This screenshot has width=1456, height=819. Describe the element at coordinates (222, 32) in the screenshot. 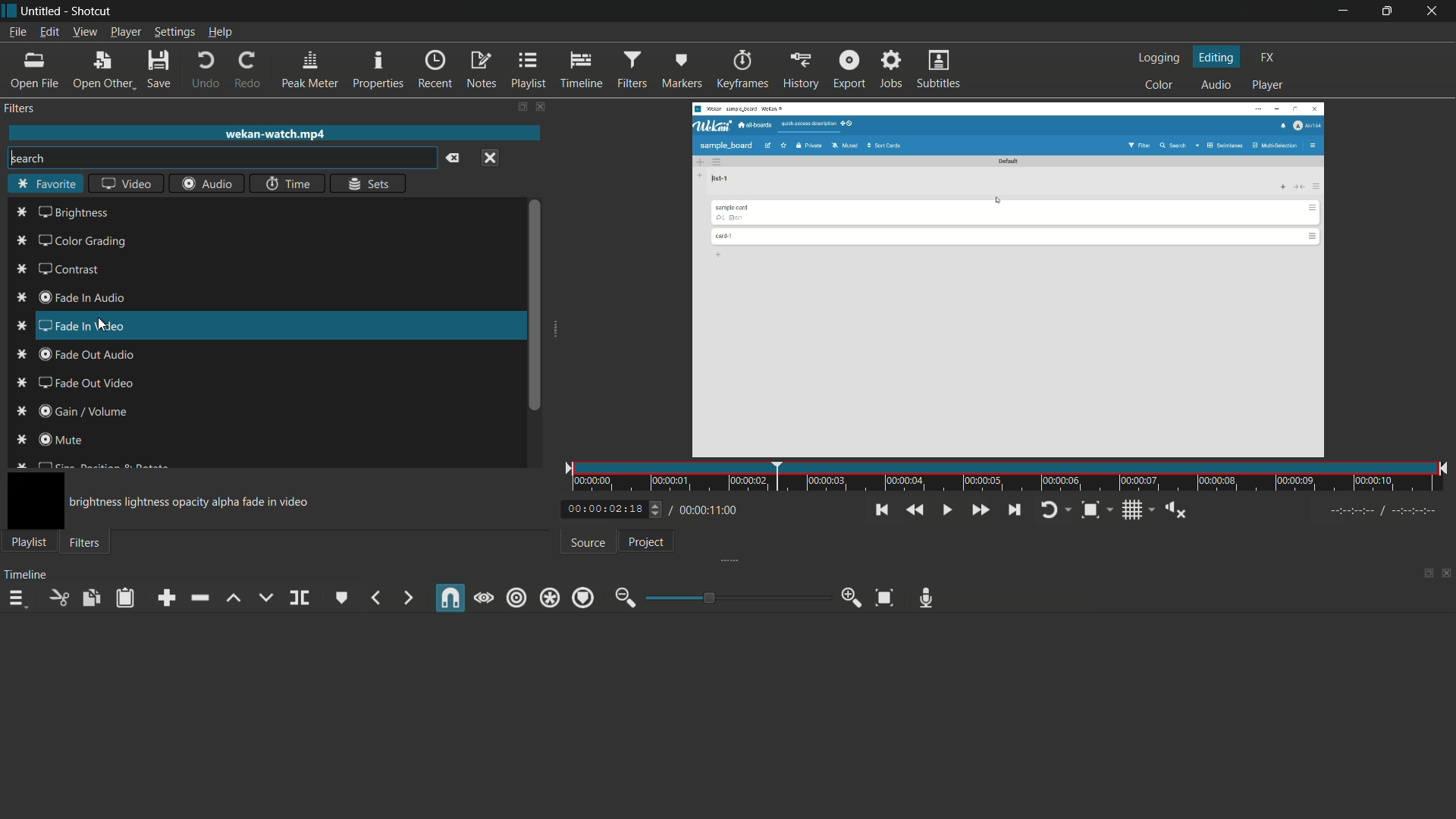

I see `help menu` at that location.